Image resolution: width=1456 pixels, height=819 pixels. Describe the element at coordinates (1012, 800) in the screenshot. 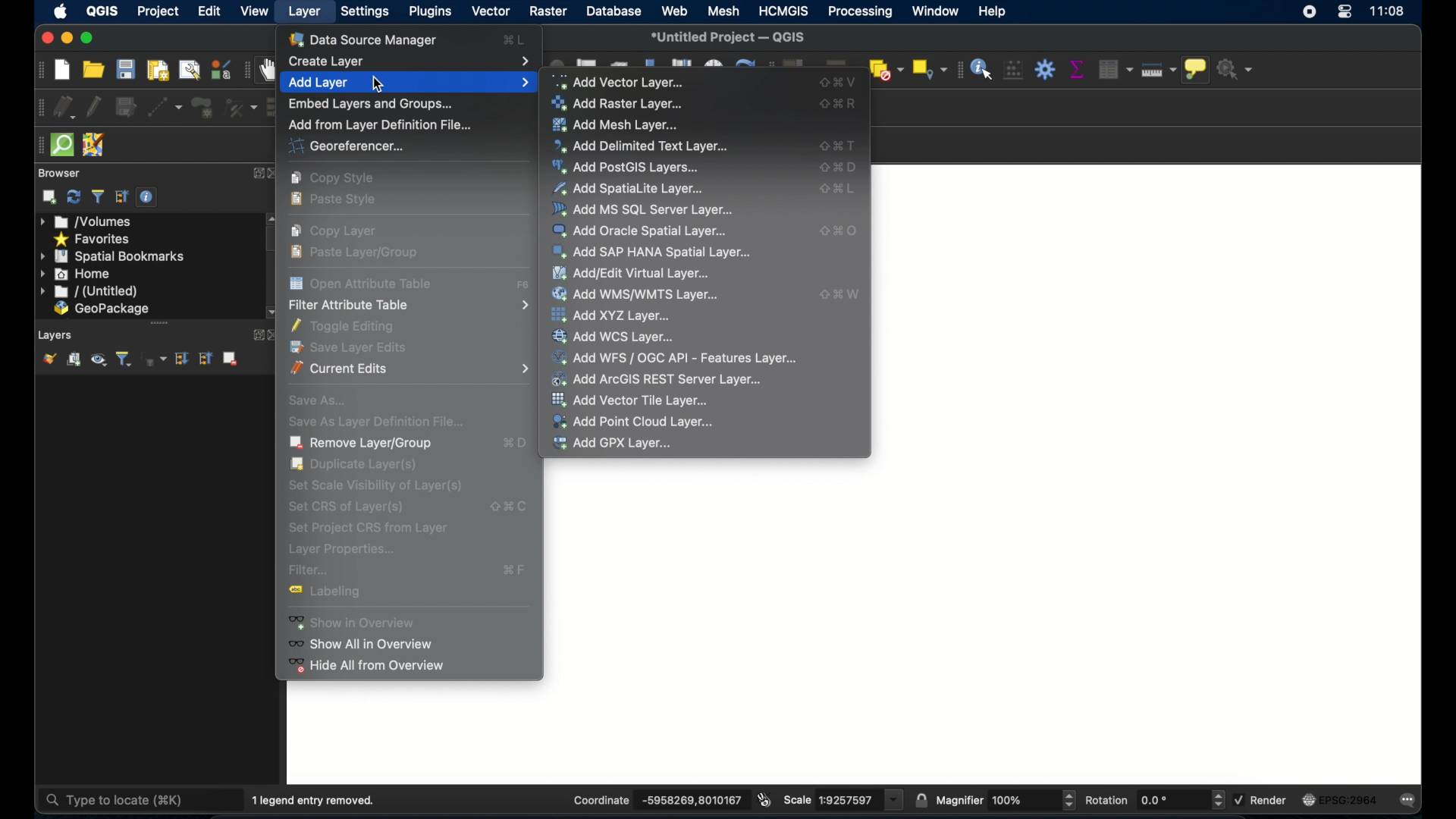

I see `` at that location.